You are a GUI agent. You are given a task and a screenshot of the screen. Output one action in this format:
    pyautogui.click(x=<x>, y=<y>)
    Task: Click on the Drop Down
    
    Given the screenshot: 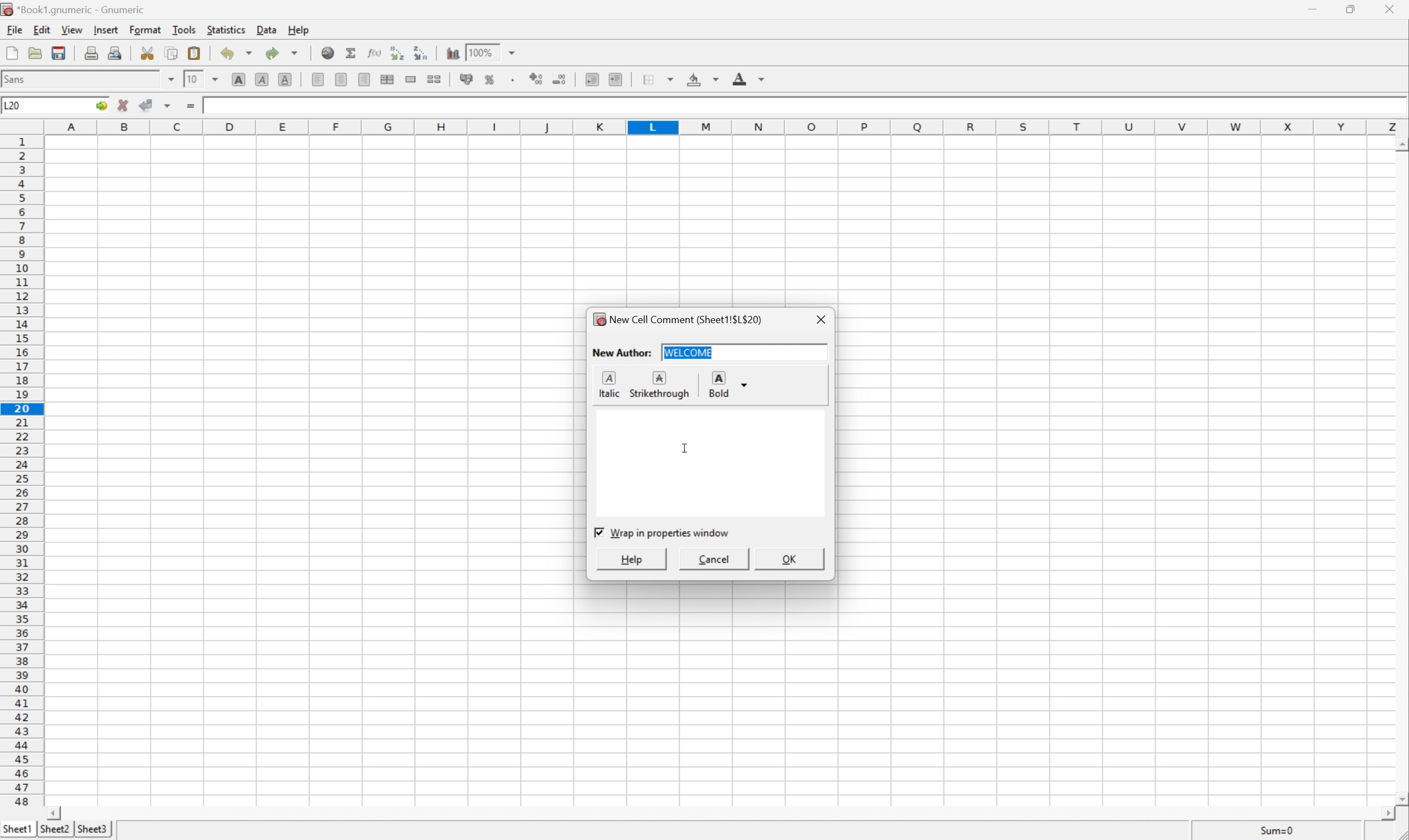 What is the action you would take?
    pyautogui.click(x=513, y=52)
    